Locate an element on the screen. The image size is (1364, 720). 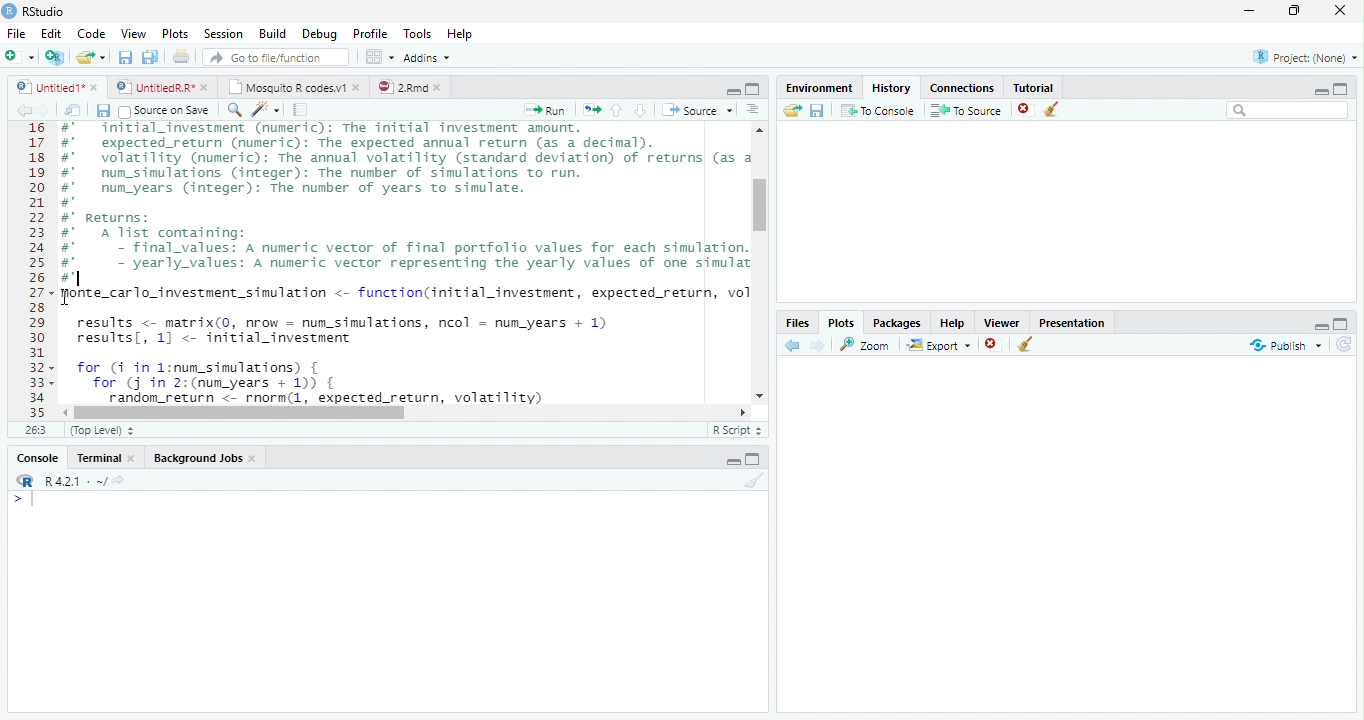
Code Tools is located at coordinates (266, 110).